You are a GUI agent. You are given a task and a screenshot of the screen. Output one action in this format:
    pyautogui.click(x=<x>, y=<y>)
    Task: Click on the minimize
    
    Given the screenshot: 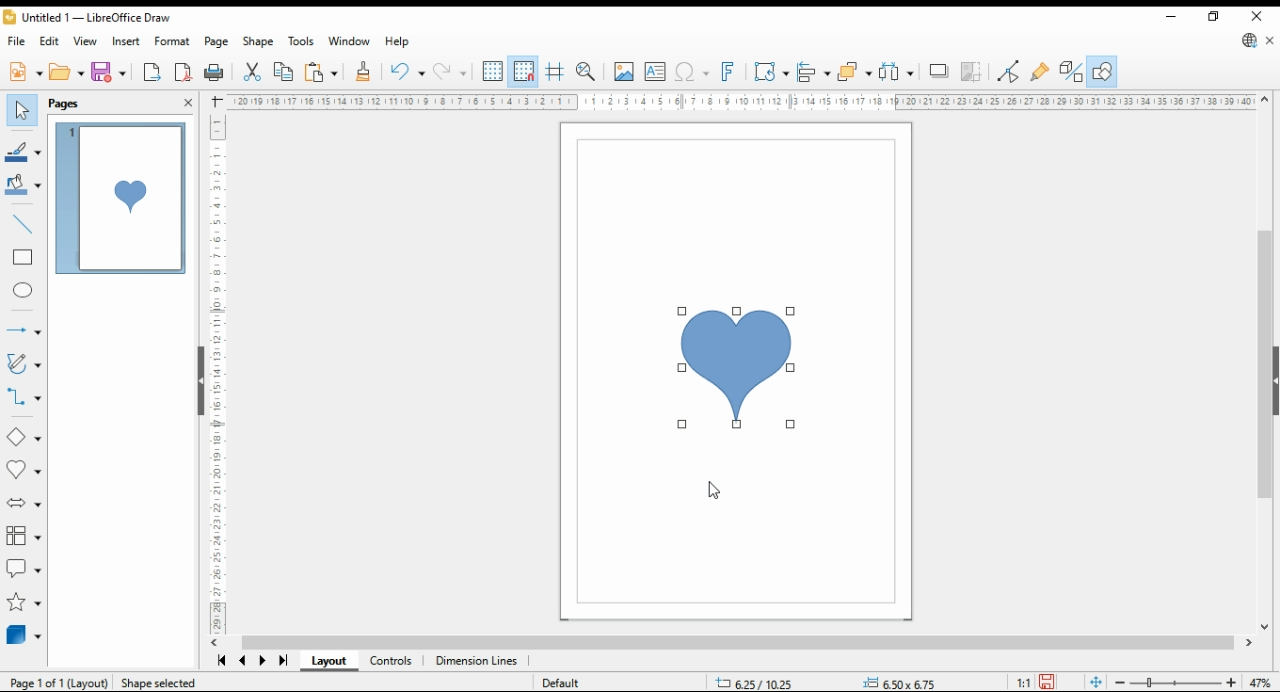 What is the action you would take?
    pyautogui.click(x=1170, y=16)
    